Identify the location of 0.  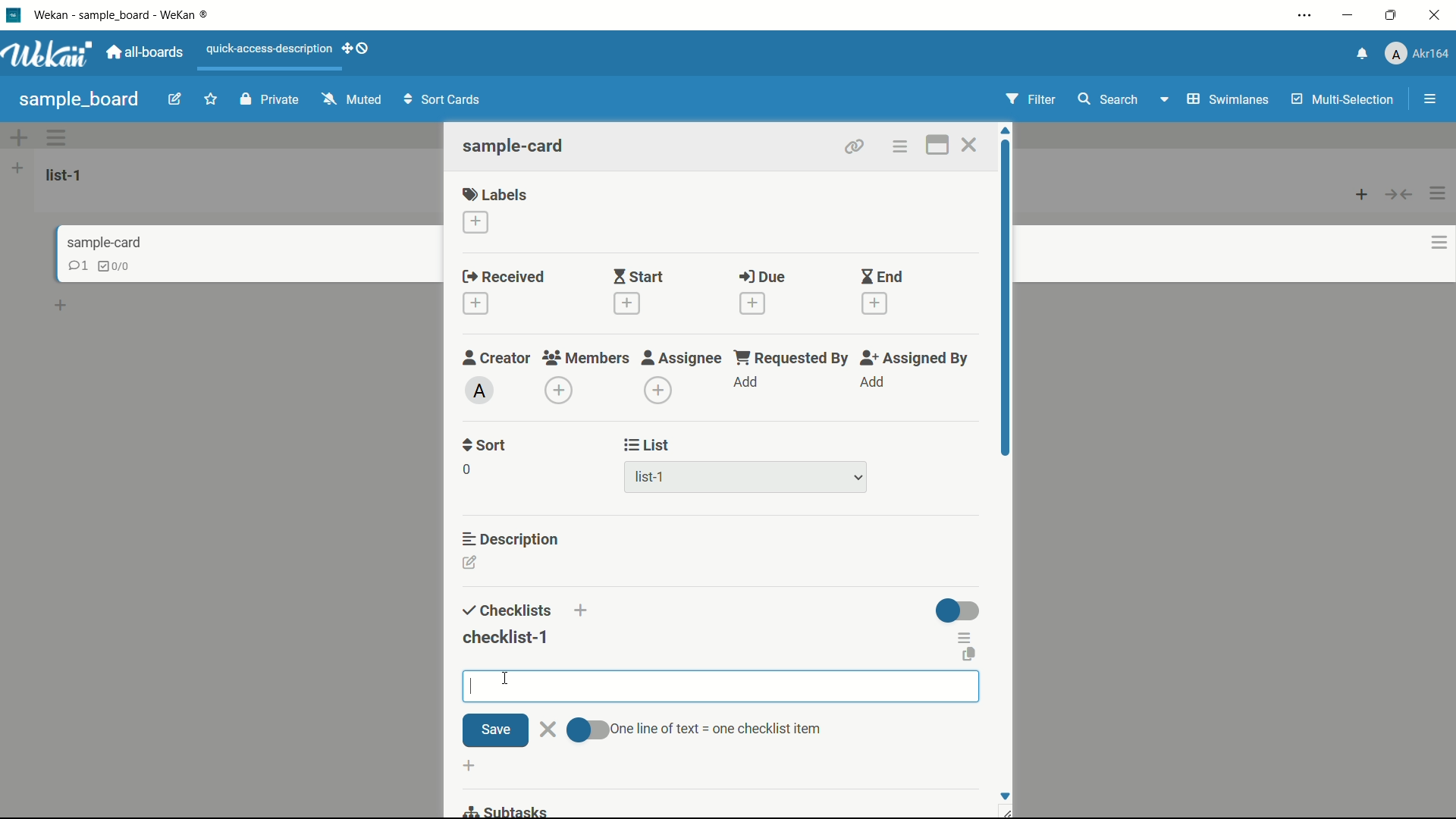
(466, 469).